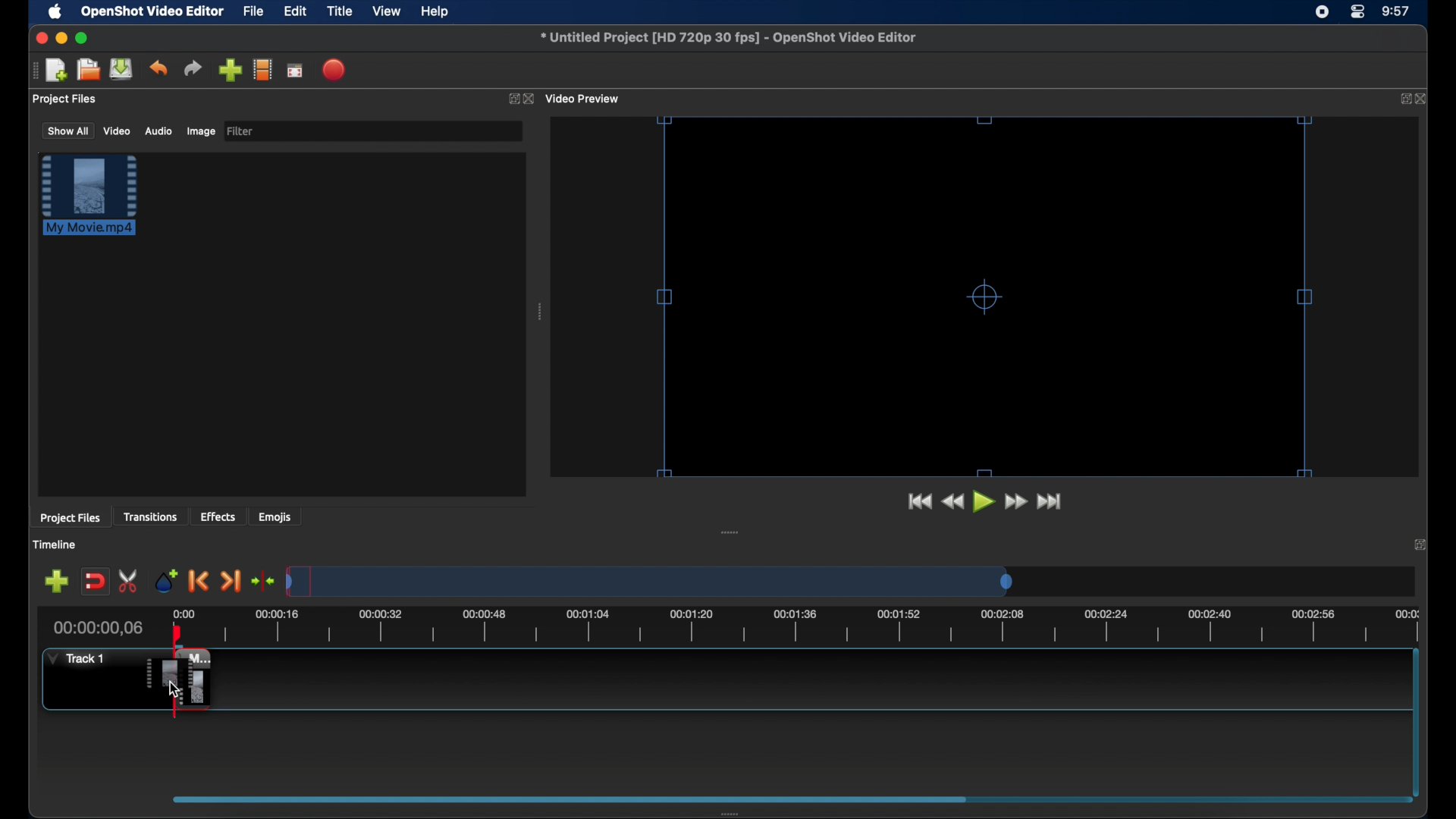 This screenshot has width=1456, height=819. What do you see at coordinates (80, 658) in the screenshot?
I see `track 1` at bounding box center [80, 658].